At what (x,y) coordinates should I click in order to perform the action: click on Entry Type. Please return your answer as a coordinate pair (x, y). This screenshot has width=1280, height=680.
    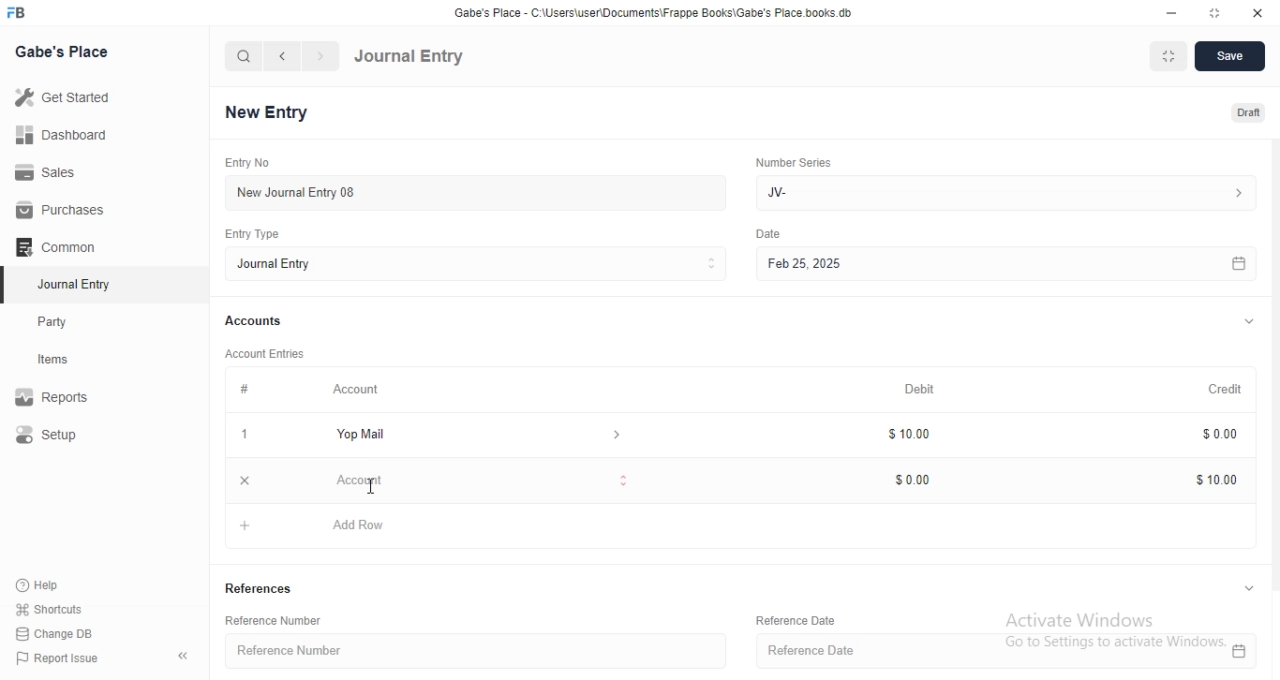
    Looking at the image, I should click on (250, 234).